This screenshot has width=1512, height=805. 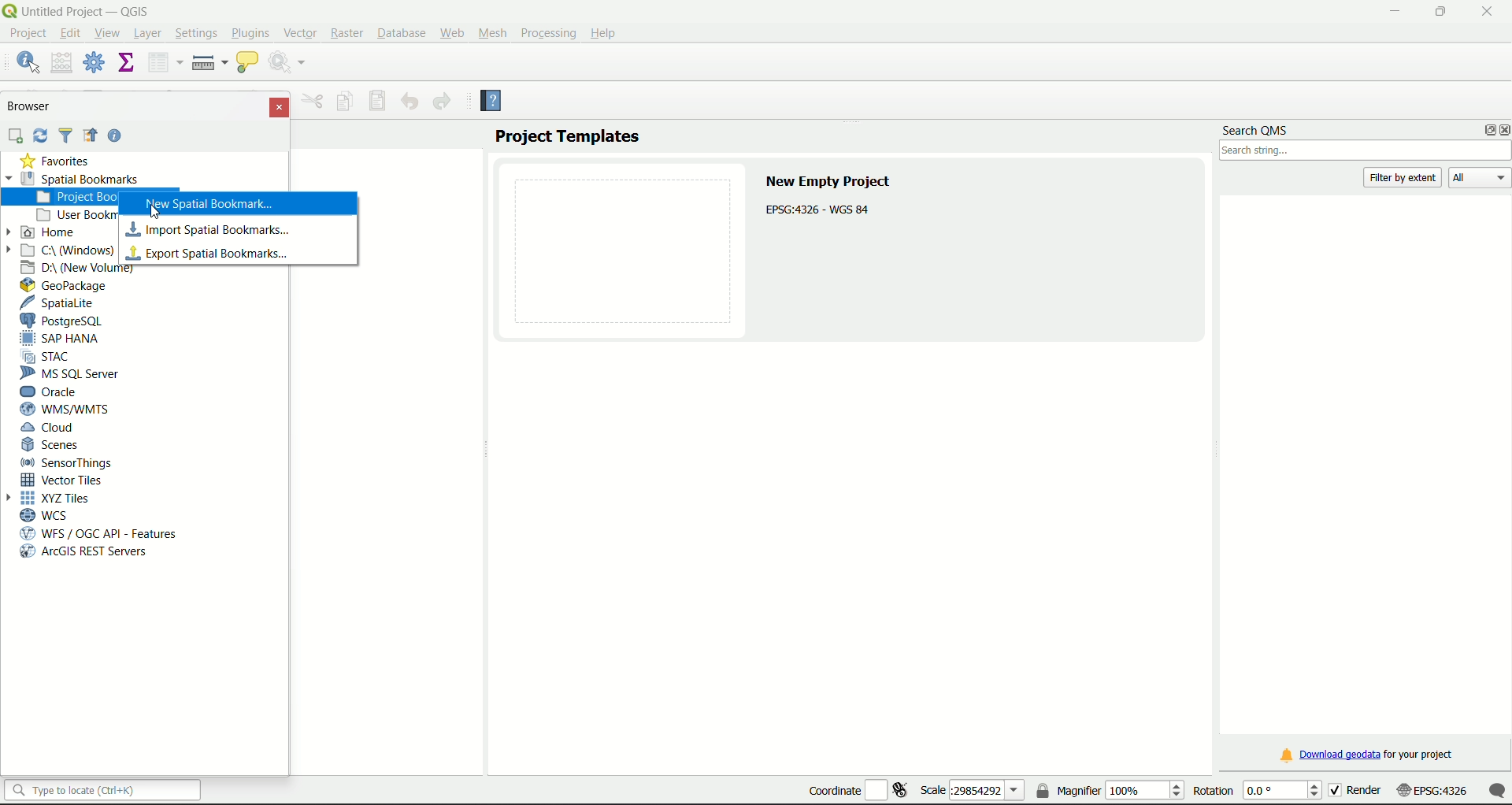 What do you see at coordinates (109, 35) in the screenshot?
I see `View` at bounding box center [109, 35].